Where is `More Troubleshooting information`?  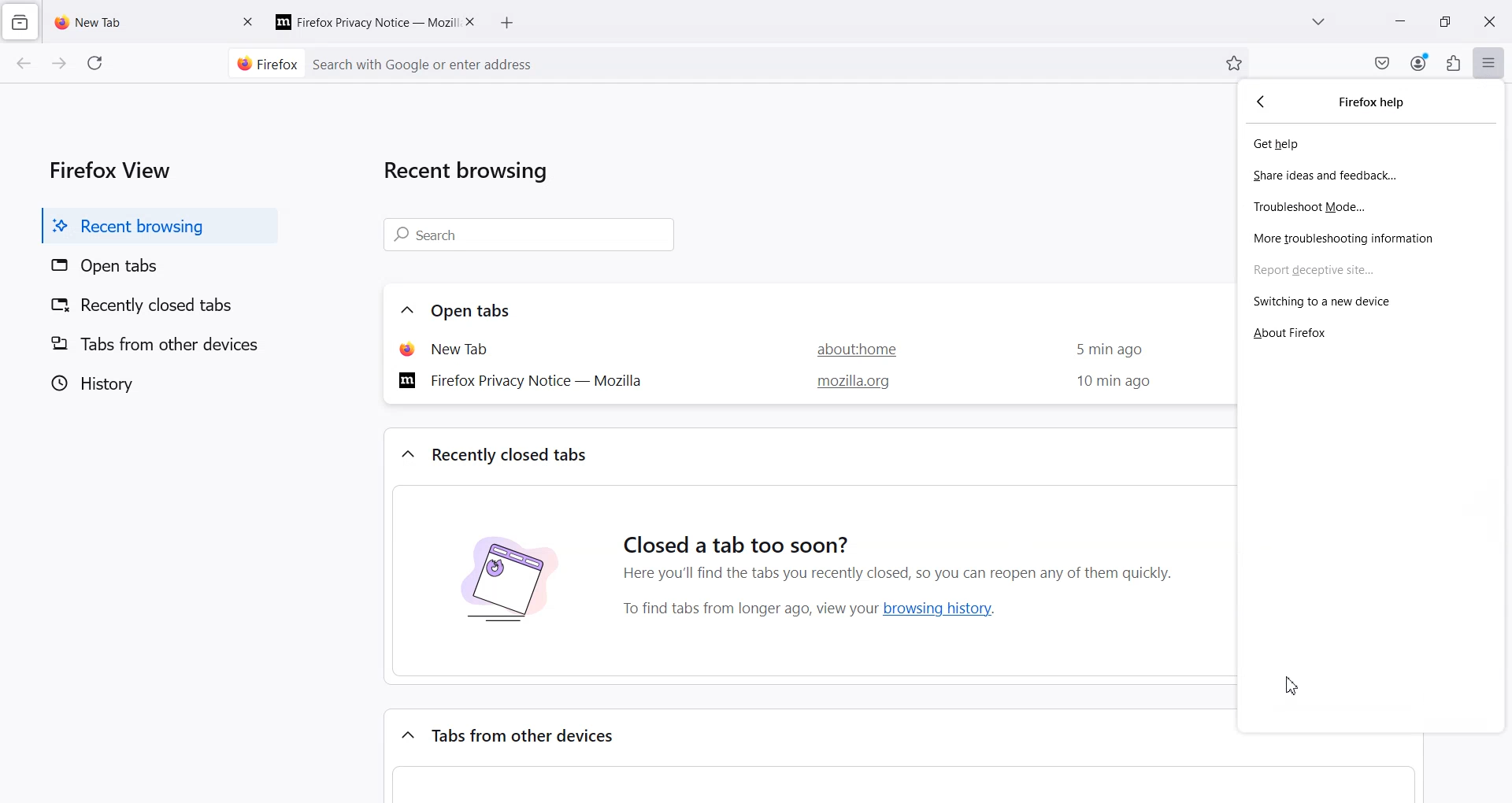 More Troubleshooting information is located at coordinates (1370, 235).